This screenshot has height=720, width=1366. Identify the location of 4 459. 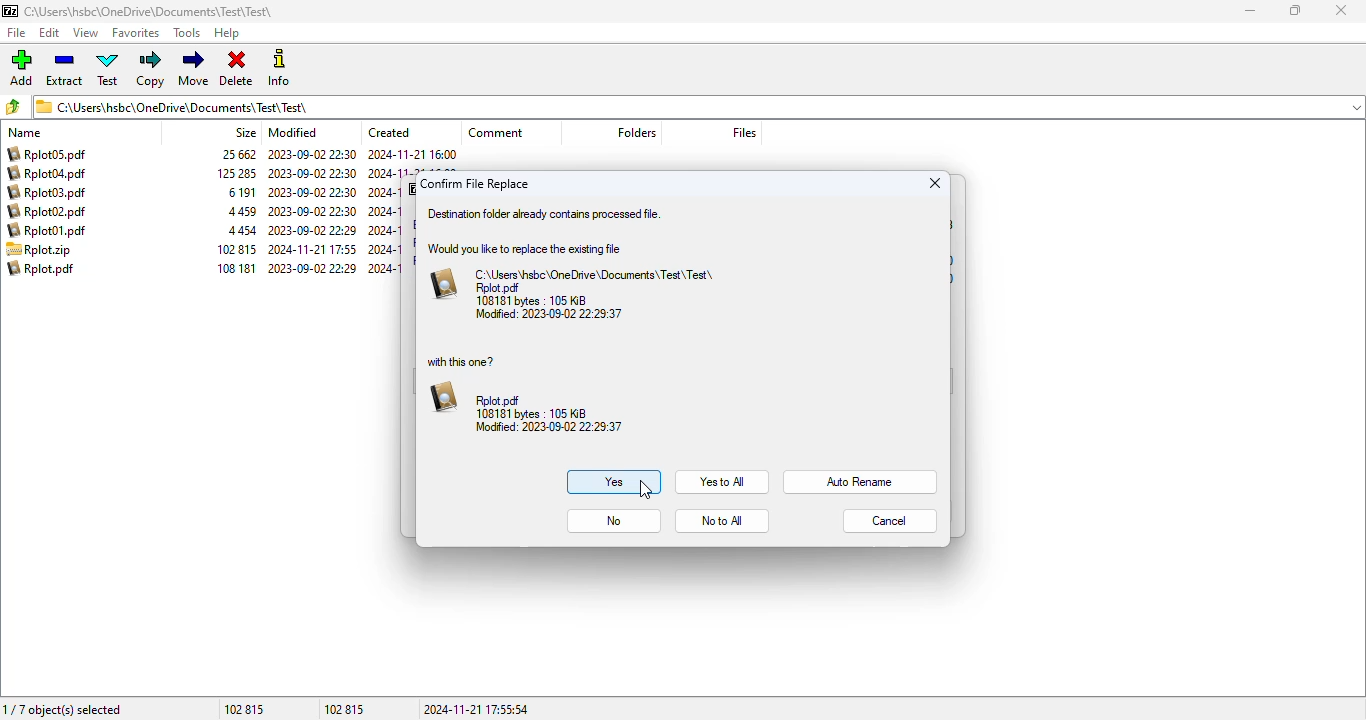
(241, 212).